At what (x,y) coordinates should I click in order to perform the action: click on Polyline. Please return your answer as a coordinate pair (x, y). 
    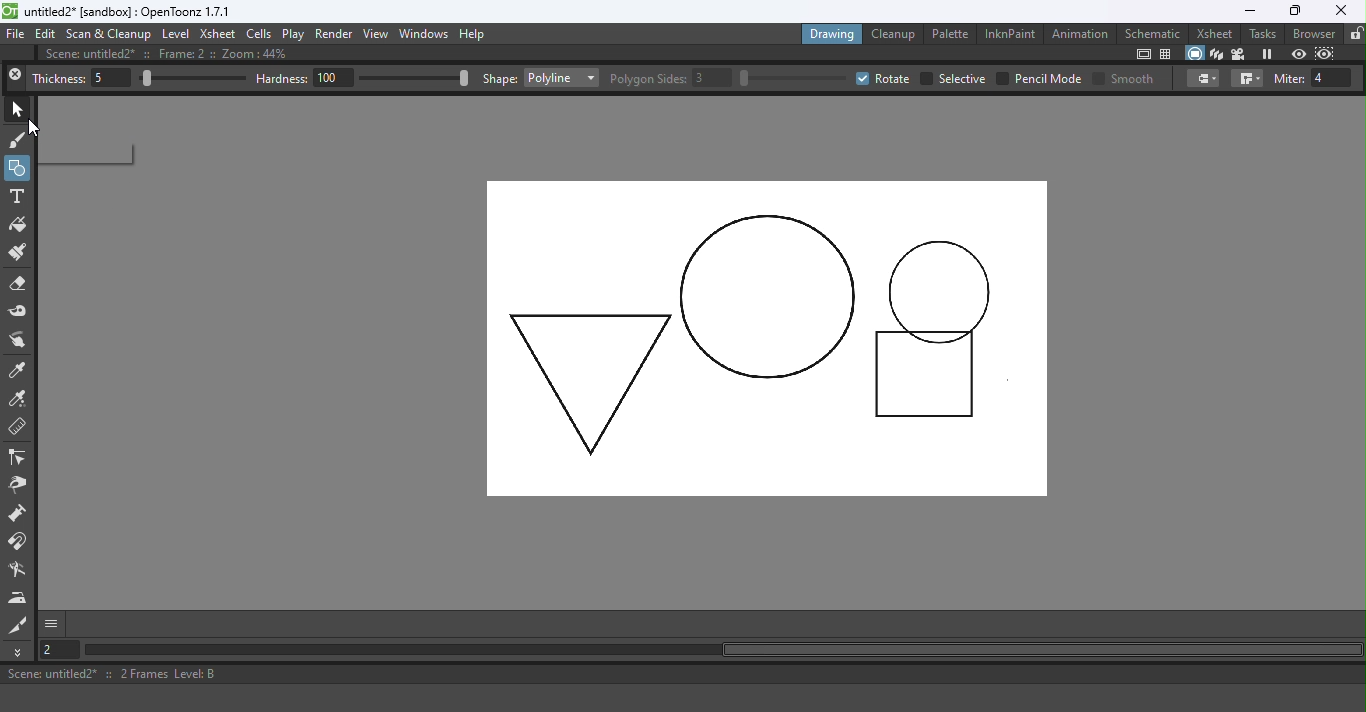
    Looking at the image, I should click on (560, 78).